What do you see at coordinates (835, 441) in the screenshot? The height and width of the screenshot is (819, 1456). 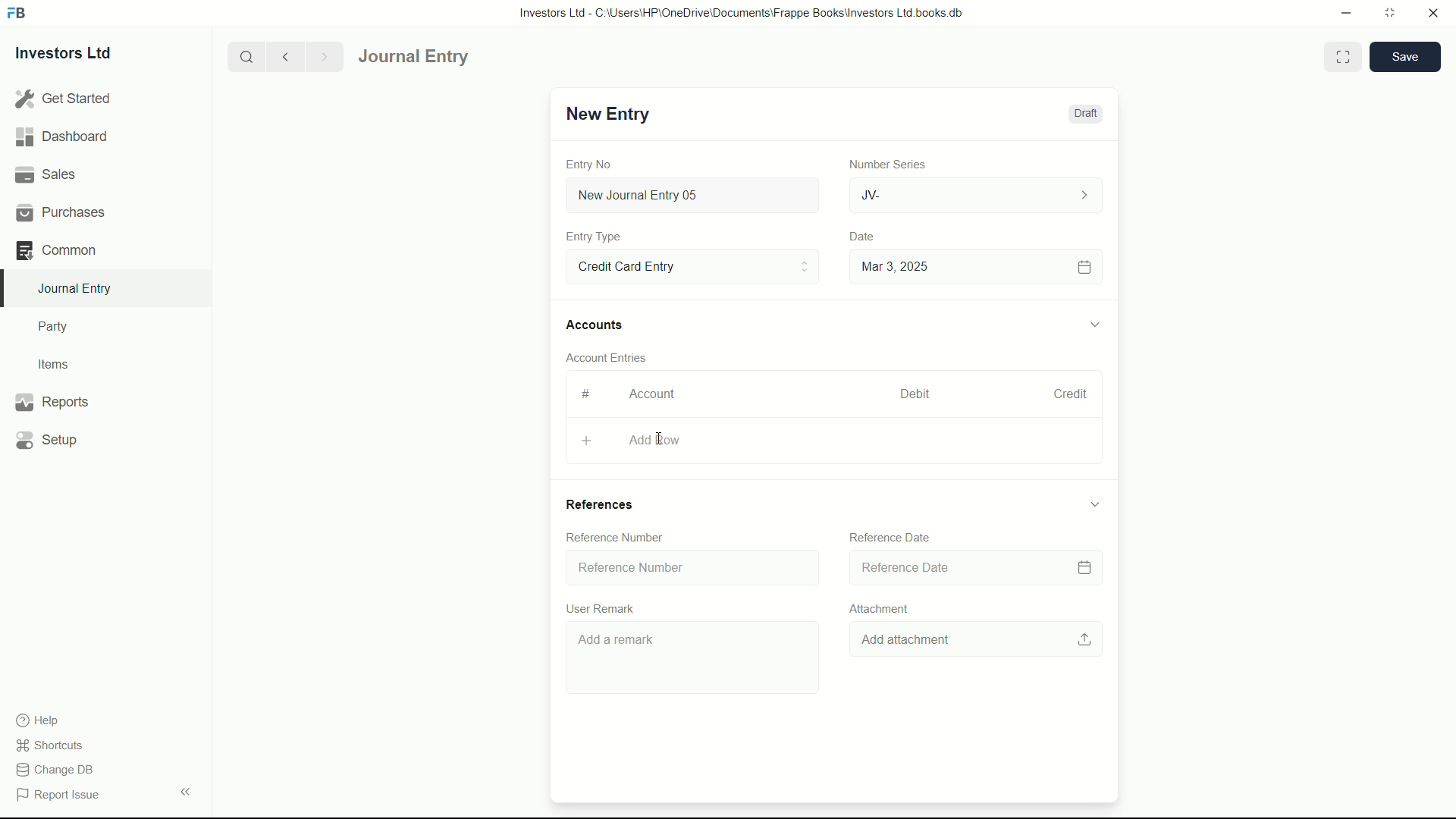 I see `Aad Row` at bounding box center [835, 441].